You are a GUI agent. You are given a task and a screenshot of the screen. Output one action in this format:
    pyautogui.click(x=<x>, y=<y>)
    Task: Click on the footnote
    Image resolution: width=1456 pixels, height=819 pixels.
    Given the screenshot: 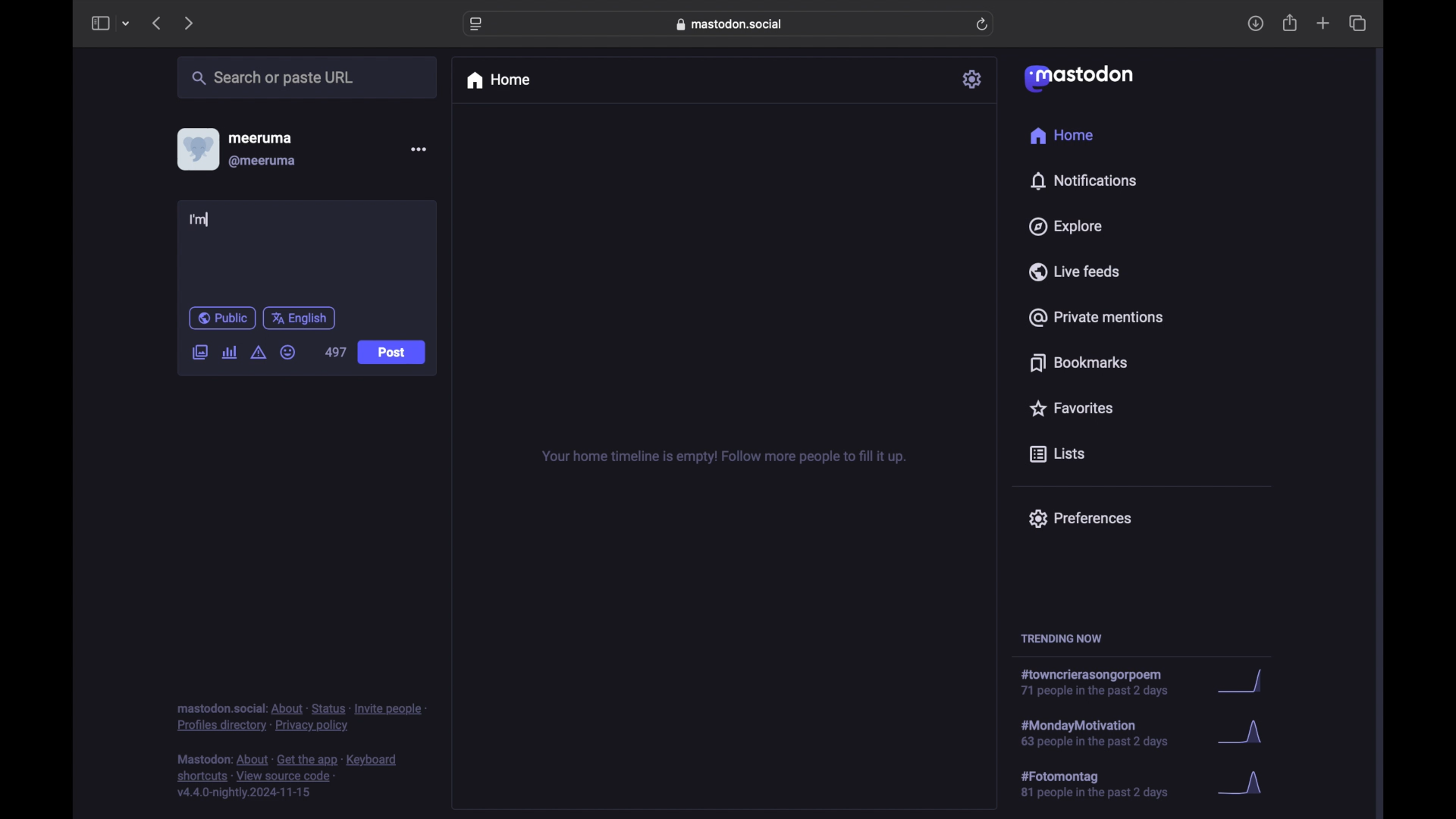 What is the action you would take?
    pyautogui.click(x=287, y=777)
    